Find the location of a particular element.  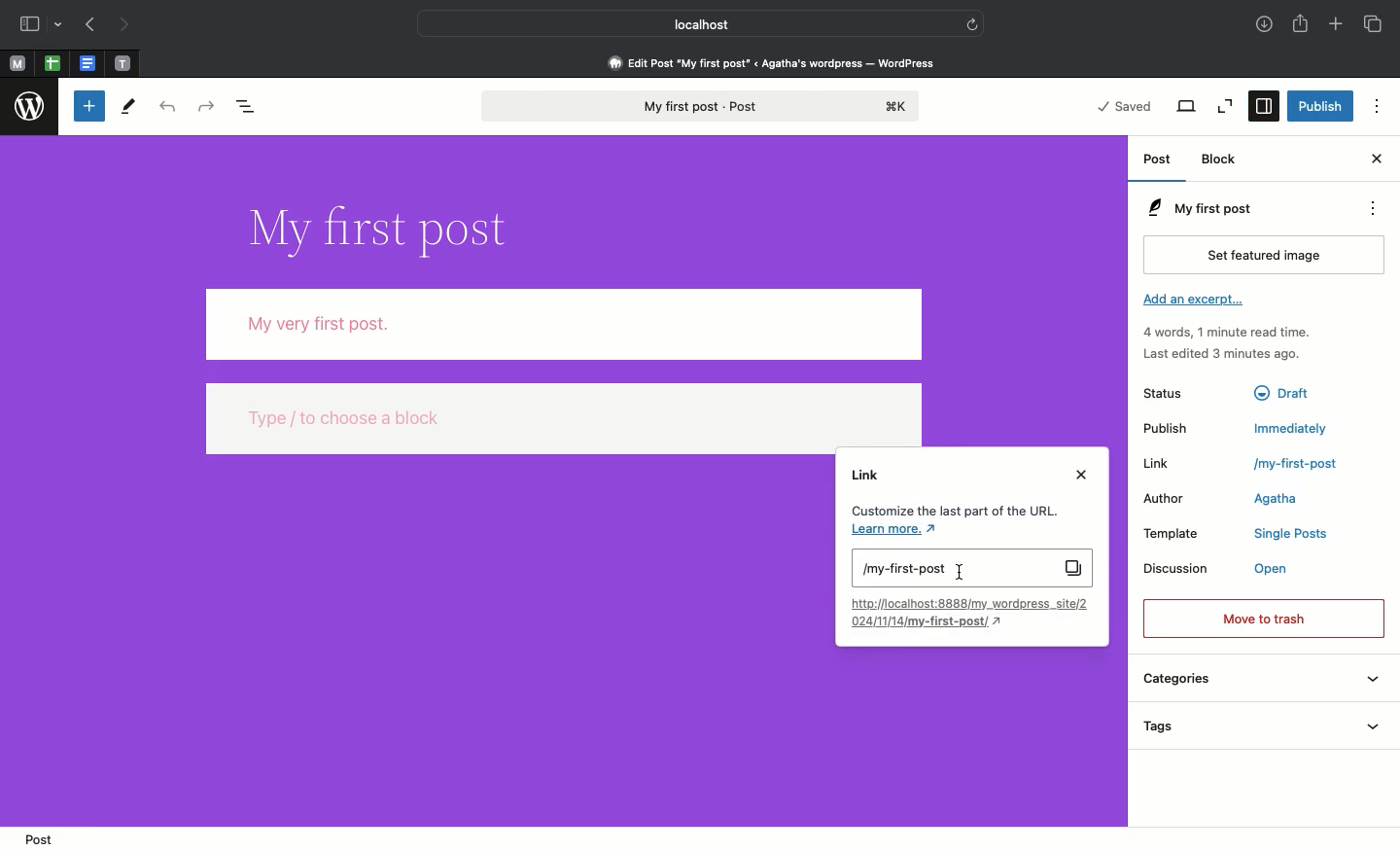

Next page is located at coordinates (130, 25).